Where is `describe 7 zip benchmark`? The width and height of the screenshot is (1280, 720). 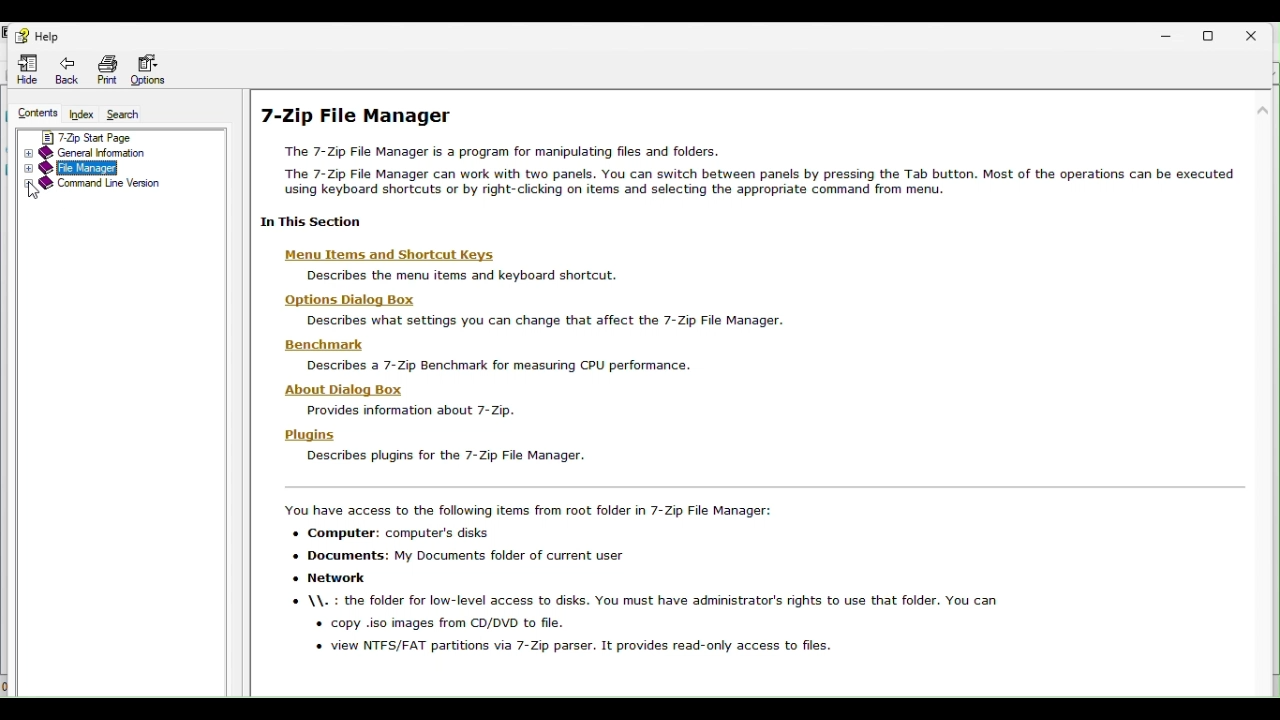 describe 7 zip benchmark is located at coordinates (500, 366).